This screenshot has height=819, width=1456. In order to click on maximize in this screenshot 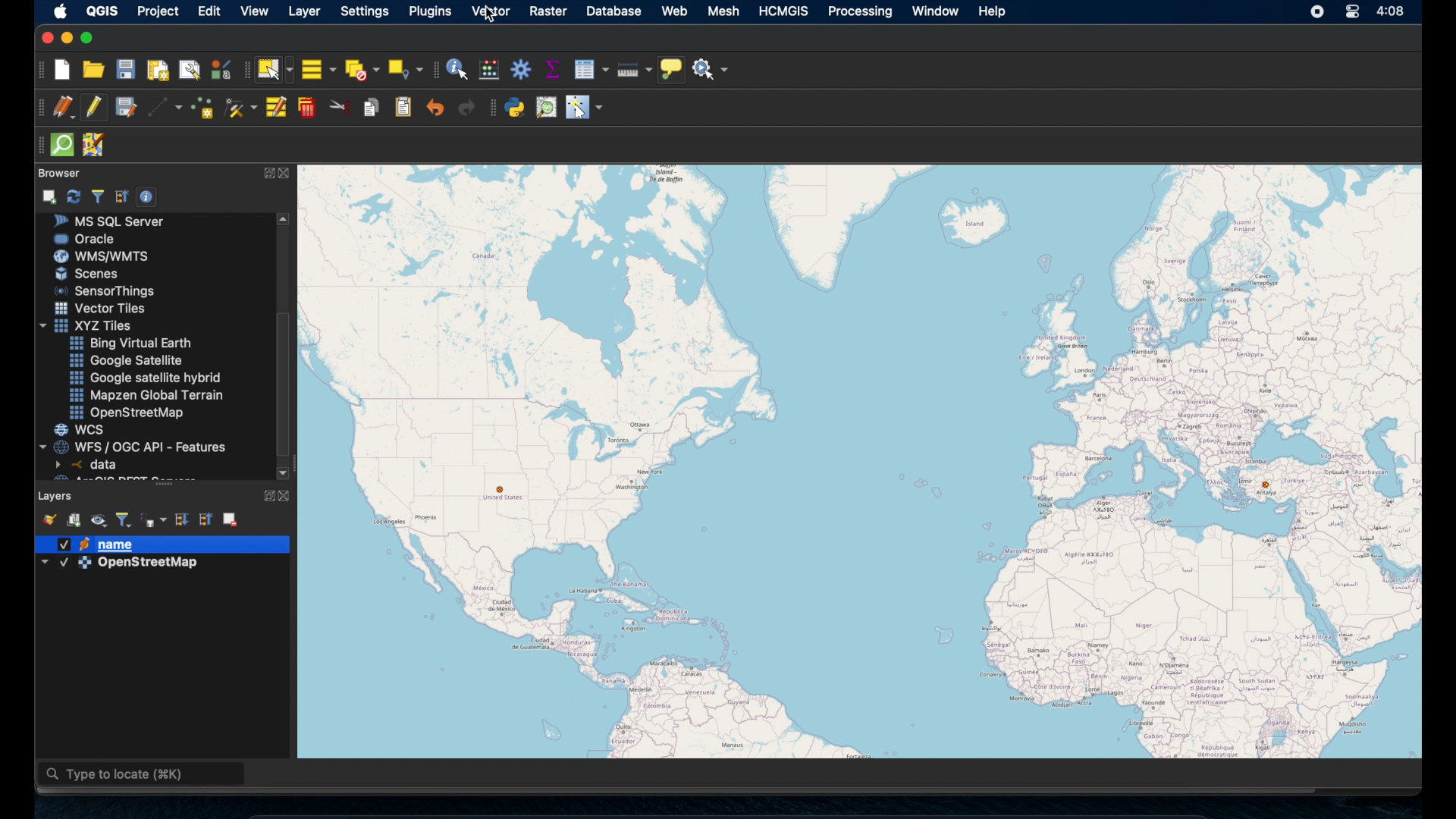, I will do `click(90, 38)`.